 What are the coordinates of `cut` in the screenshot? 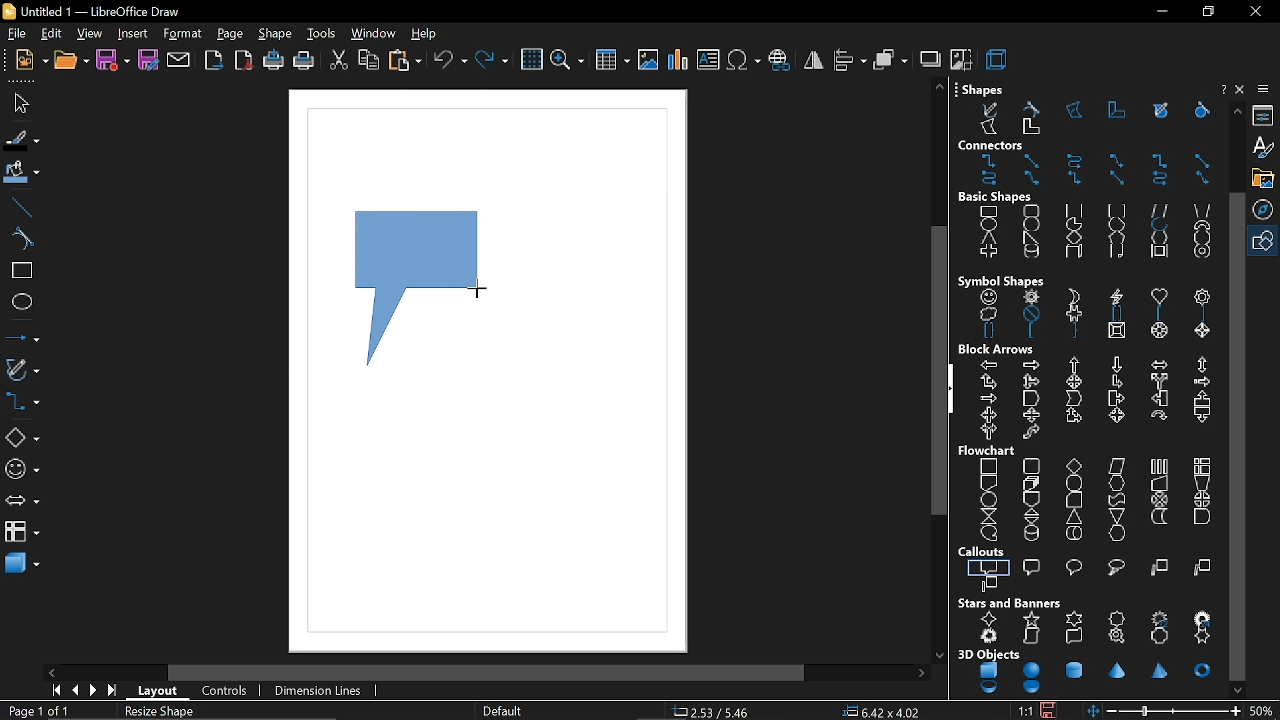 It's located at (338, 61).